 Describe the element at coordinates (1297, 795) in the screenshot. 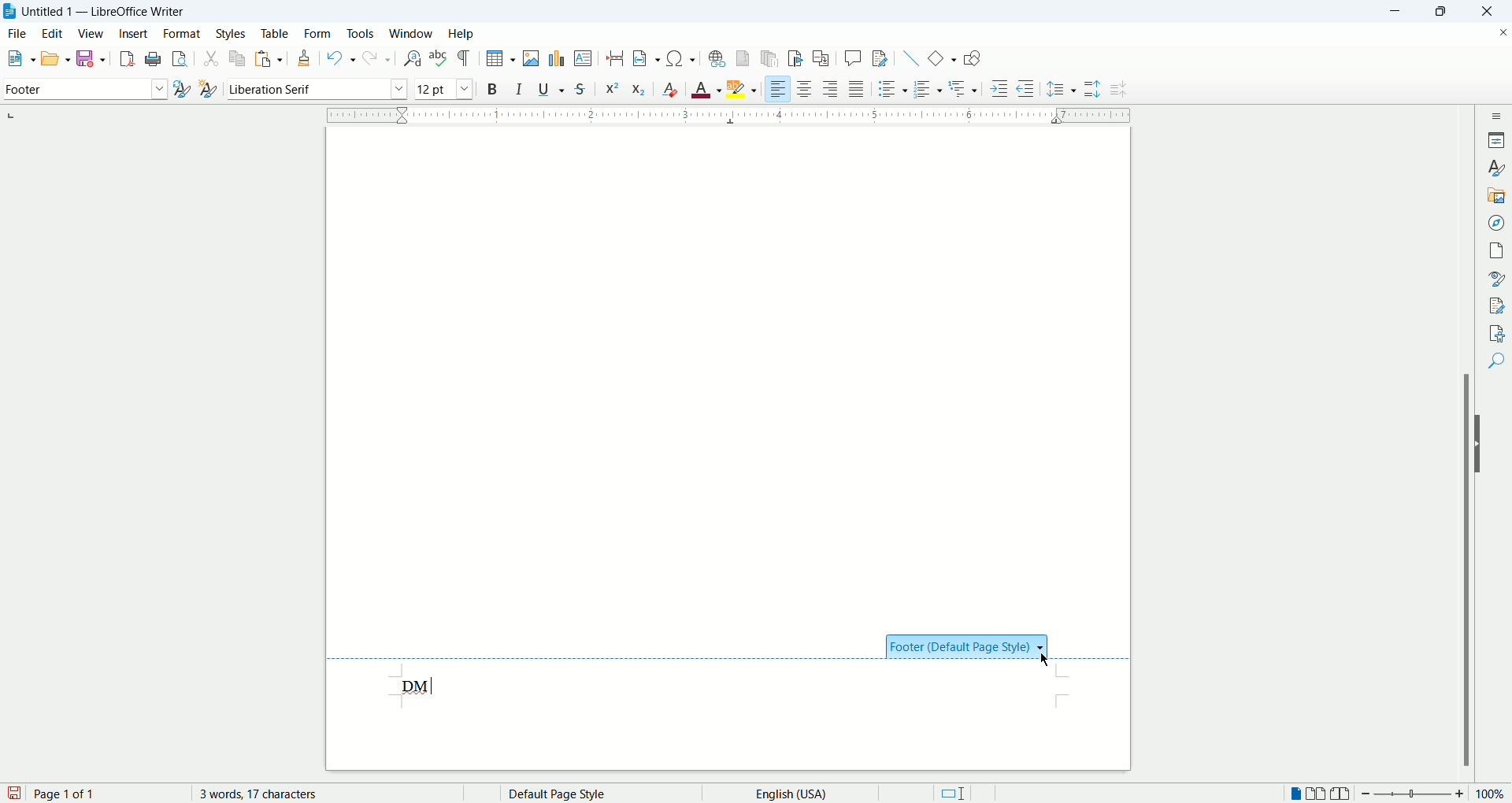

I see `single page view` at that location.